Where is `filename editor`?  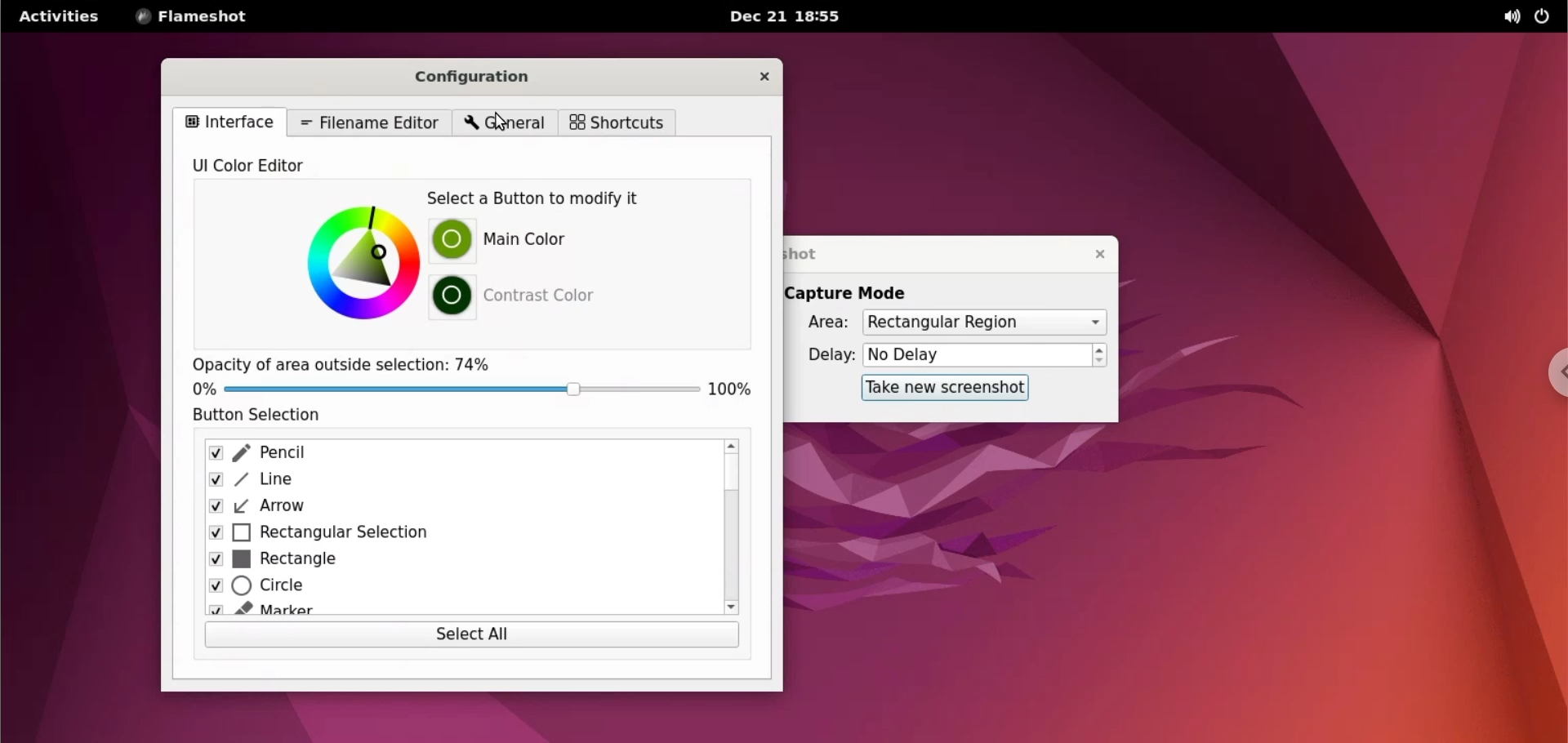 filename editor is located at coordinates (371, 122).